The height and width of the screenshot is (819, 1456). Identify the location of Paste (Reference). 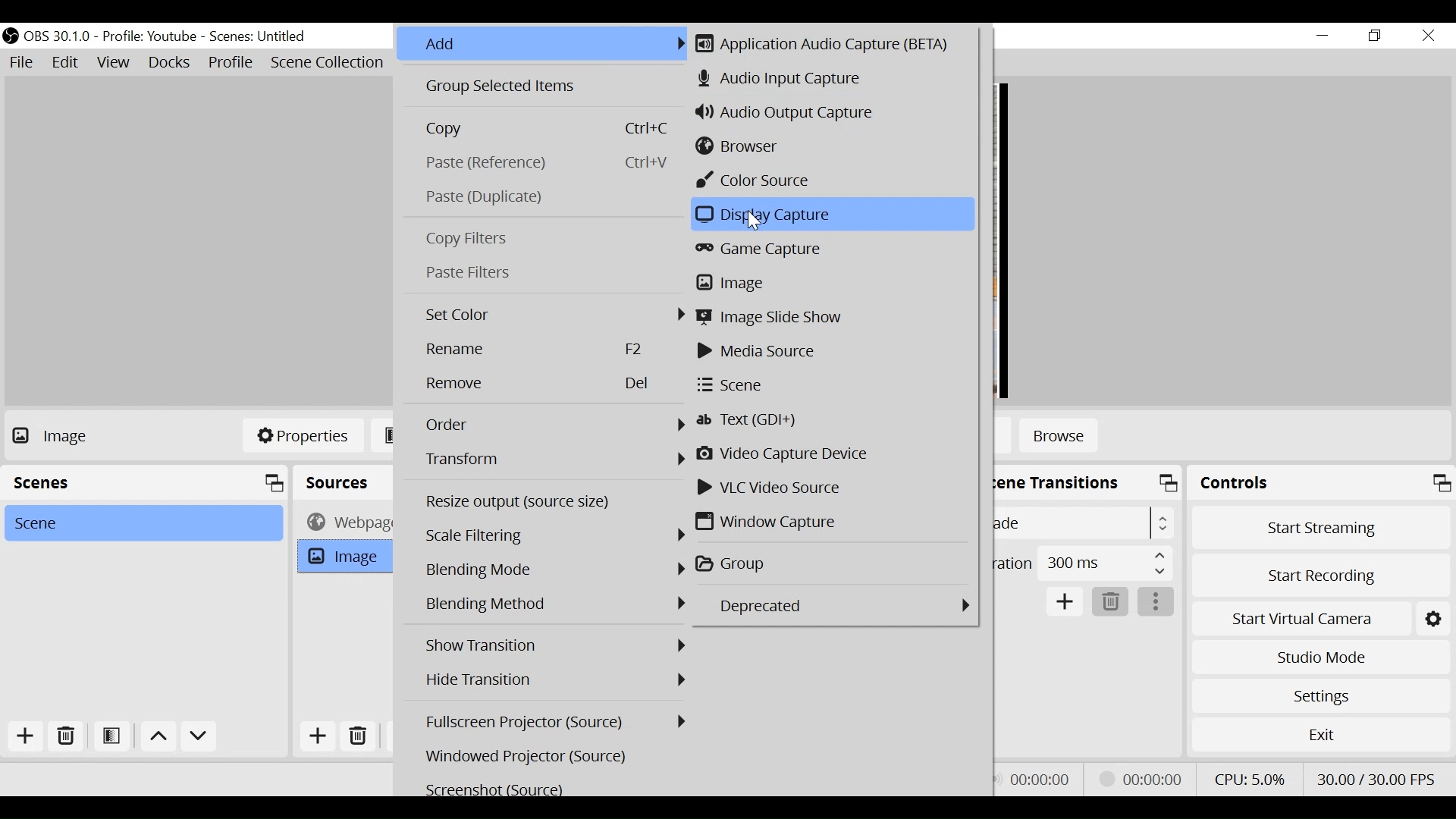
(544, 163).